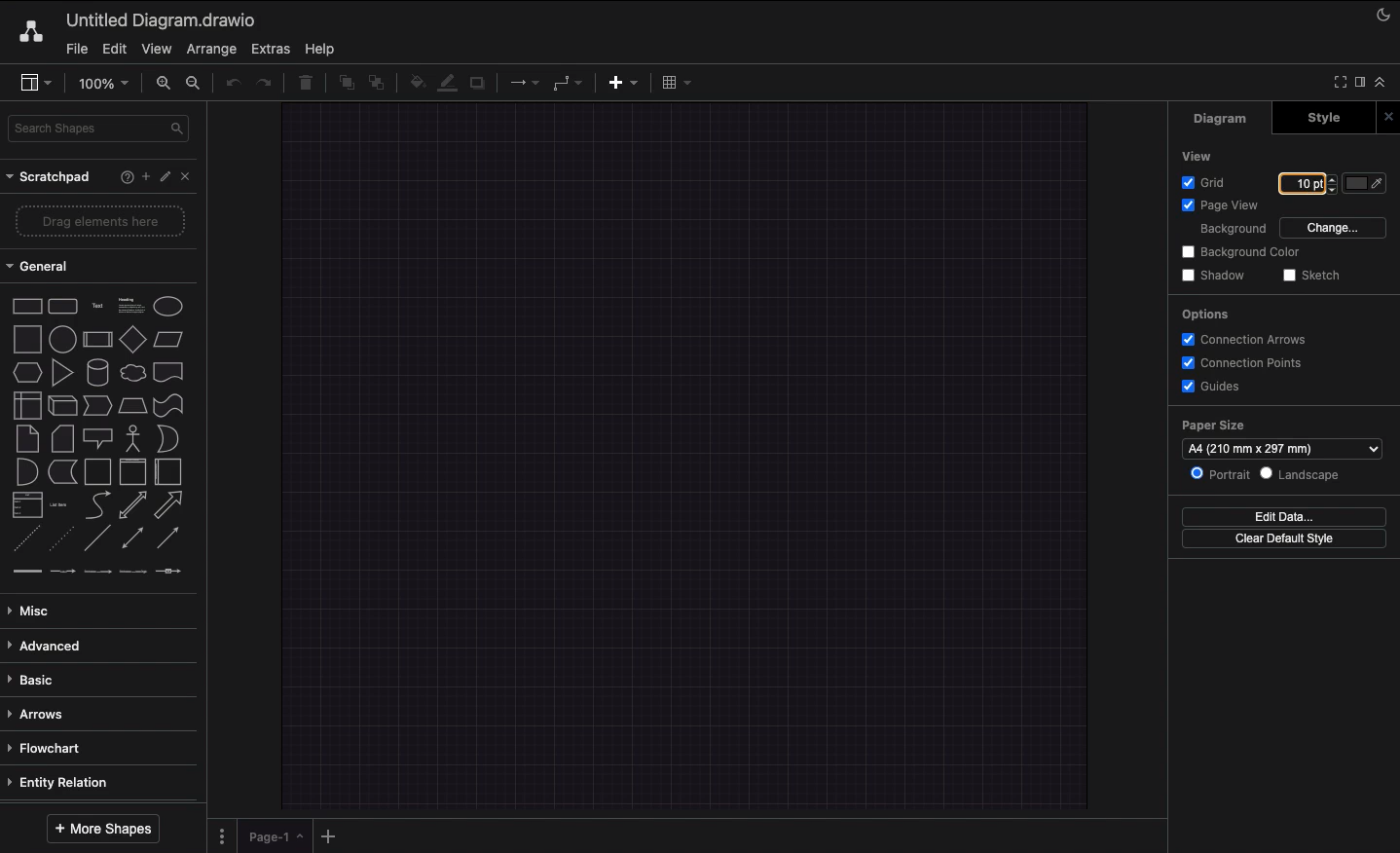 The image size is (1400, 853). I want to click on Zoom, so click(102, 83).